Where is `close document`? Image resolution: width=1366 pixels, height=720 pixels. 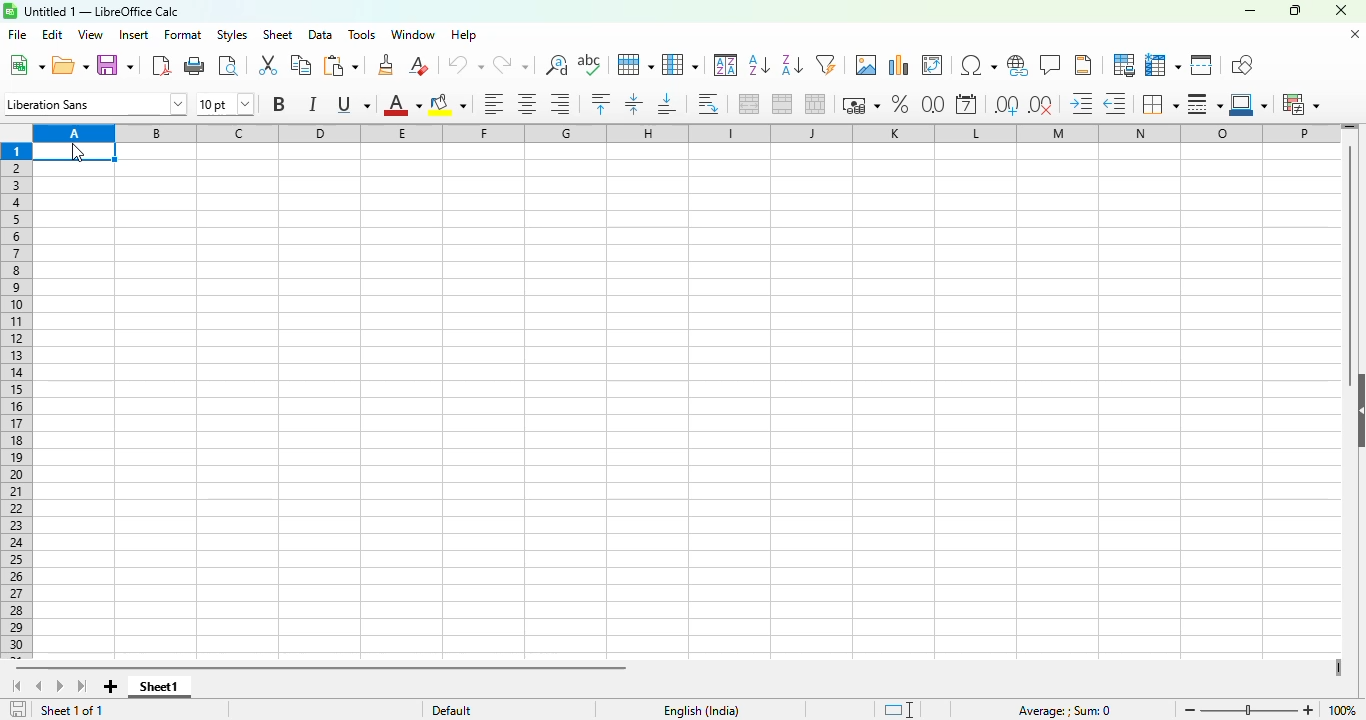
close document is located at coordinates (1355, 34).